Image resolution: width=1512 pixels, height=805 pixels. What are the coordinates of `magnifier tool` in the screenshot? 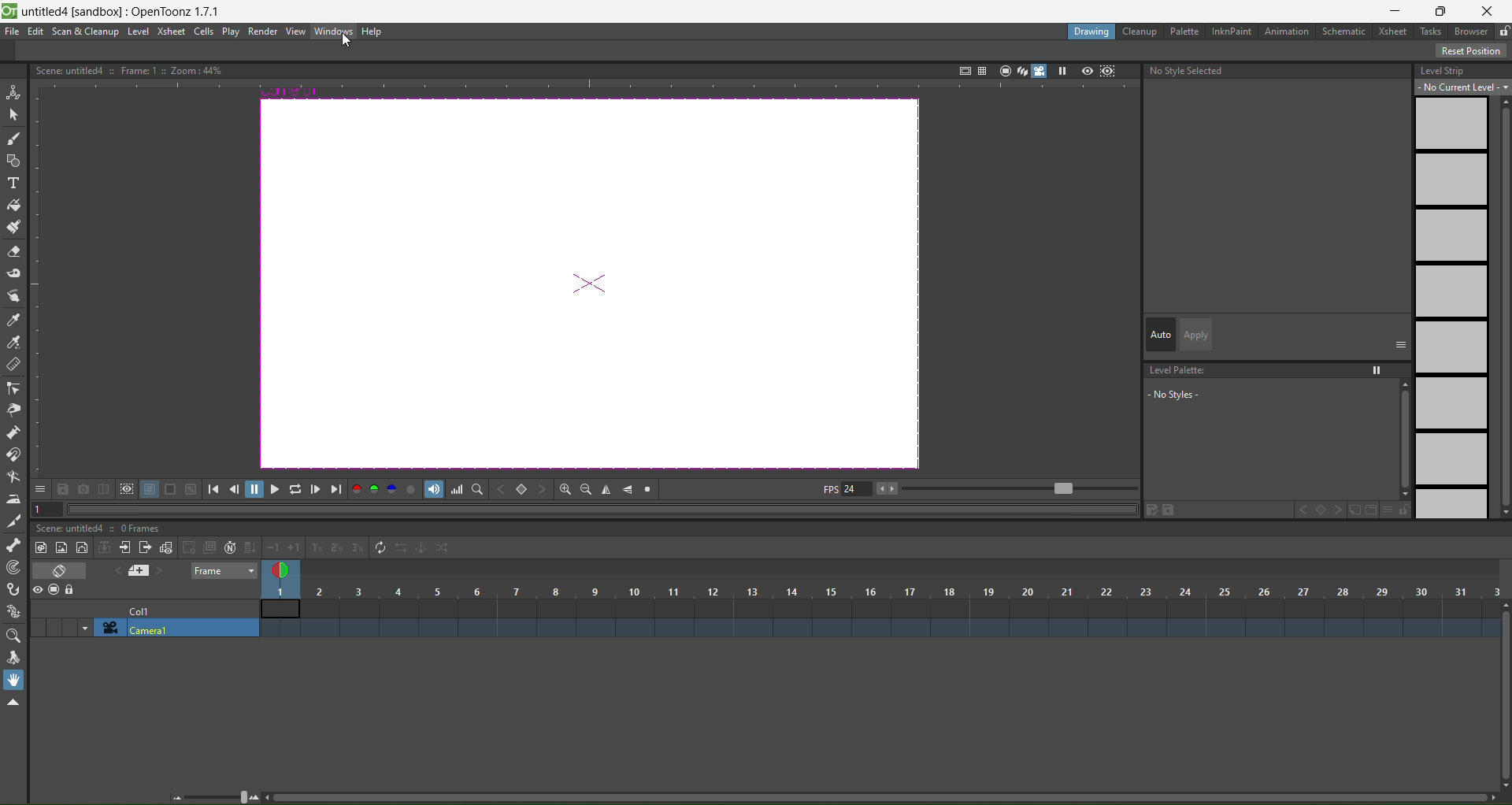 It's located at (17, 636).